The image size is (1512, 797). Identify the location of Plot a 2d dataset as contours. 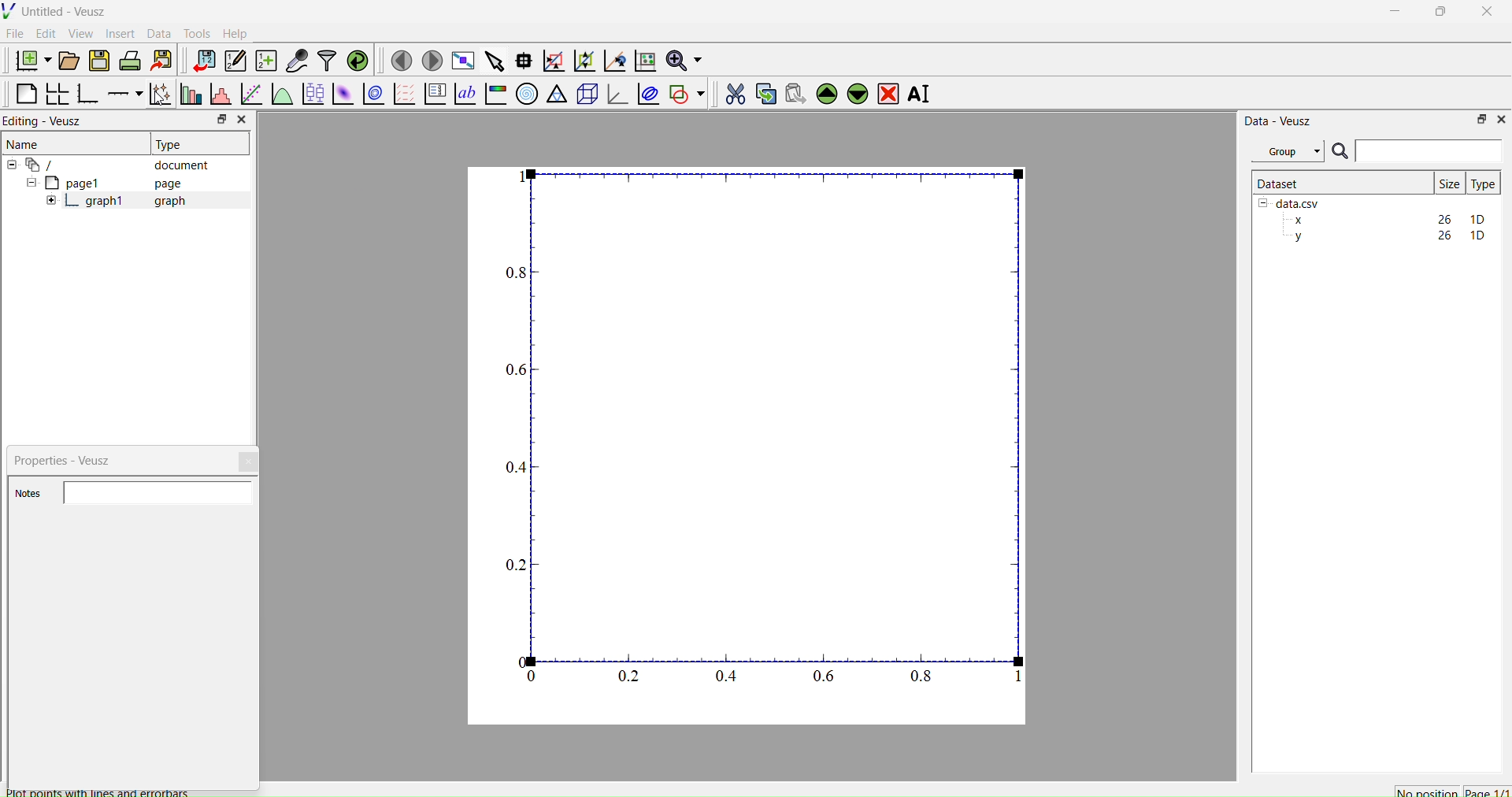
(372, 95).